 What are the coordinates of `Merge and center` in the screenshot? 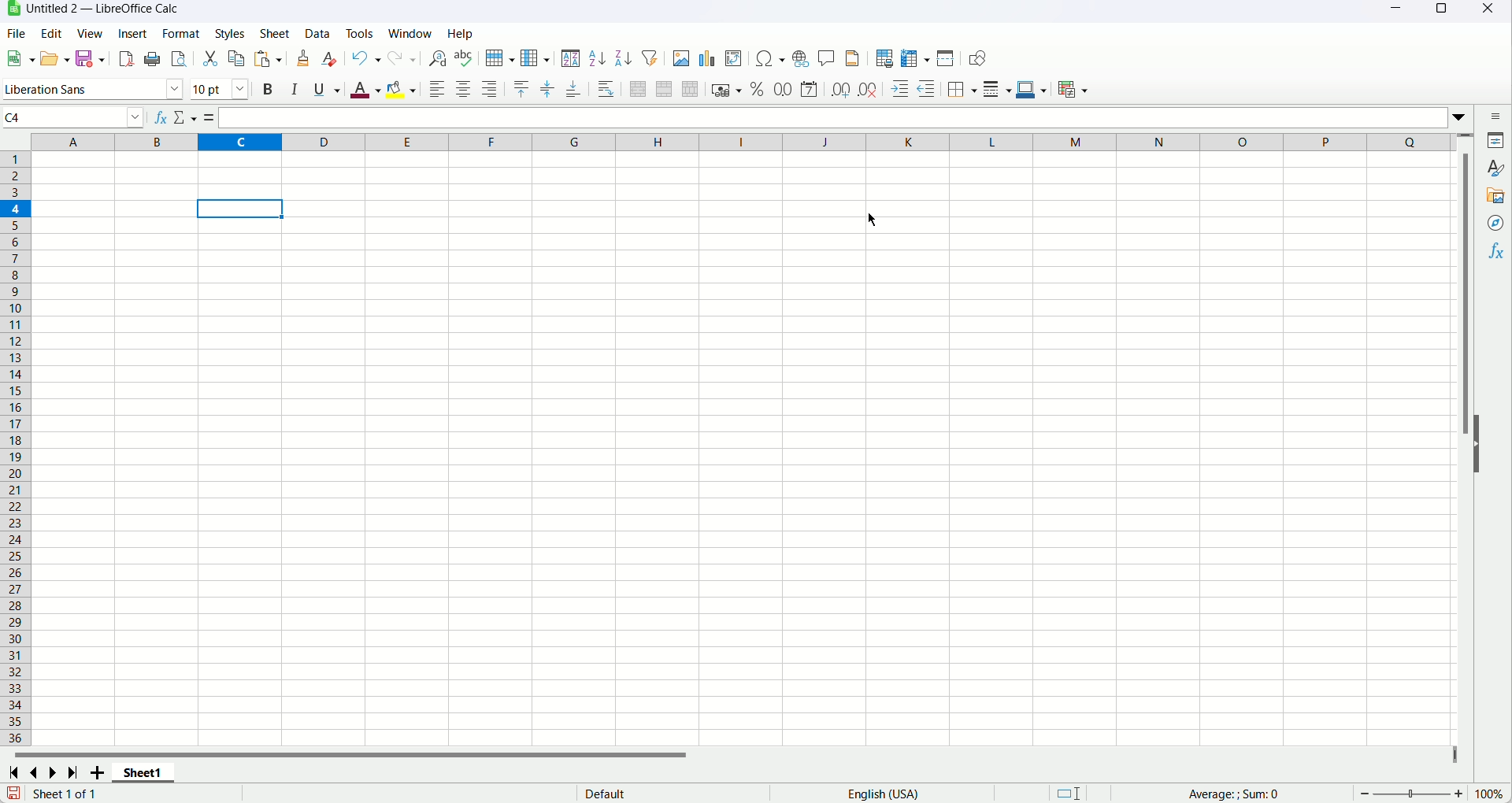 It's located at (638, 89).